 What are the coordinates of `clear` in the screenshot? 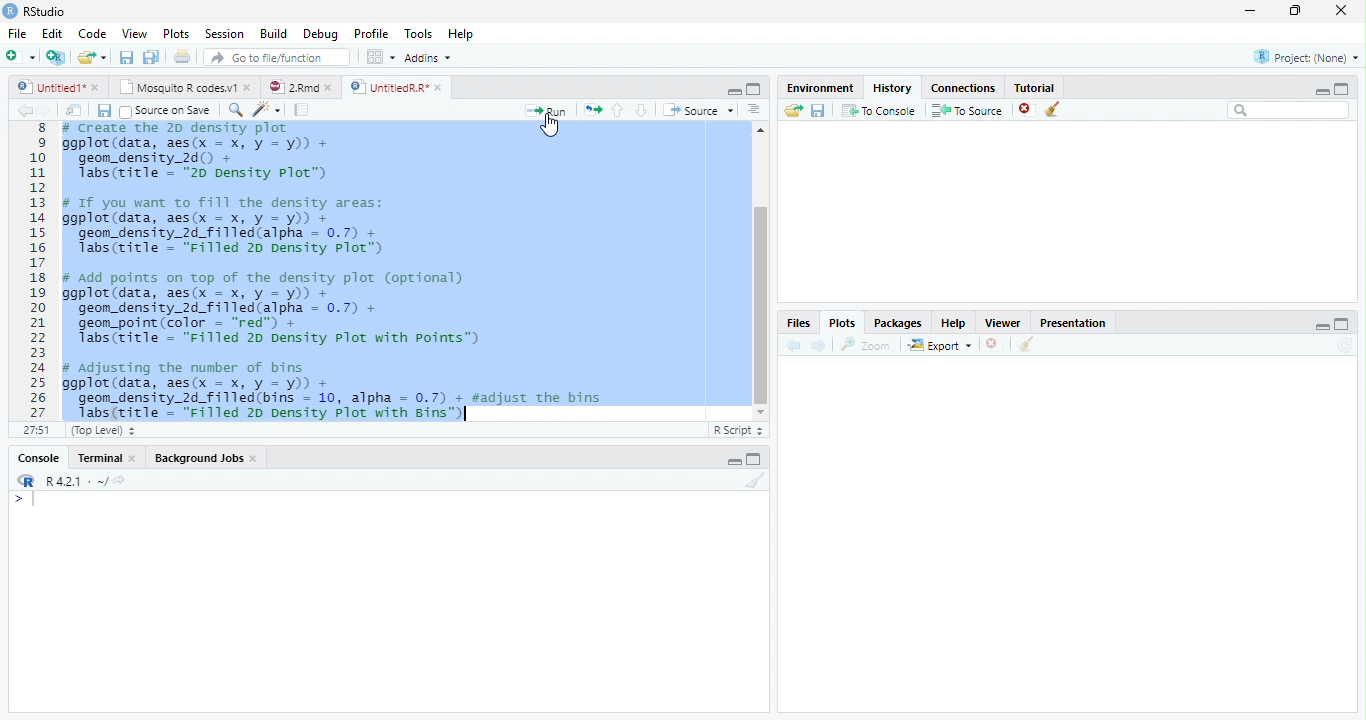 It's located at (1053, 110).